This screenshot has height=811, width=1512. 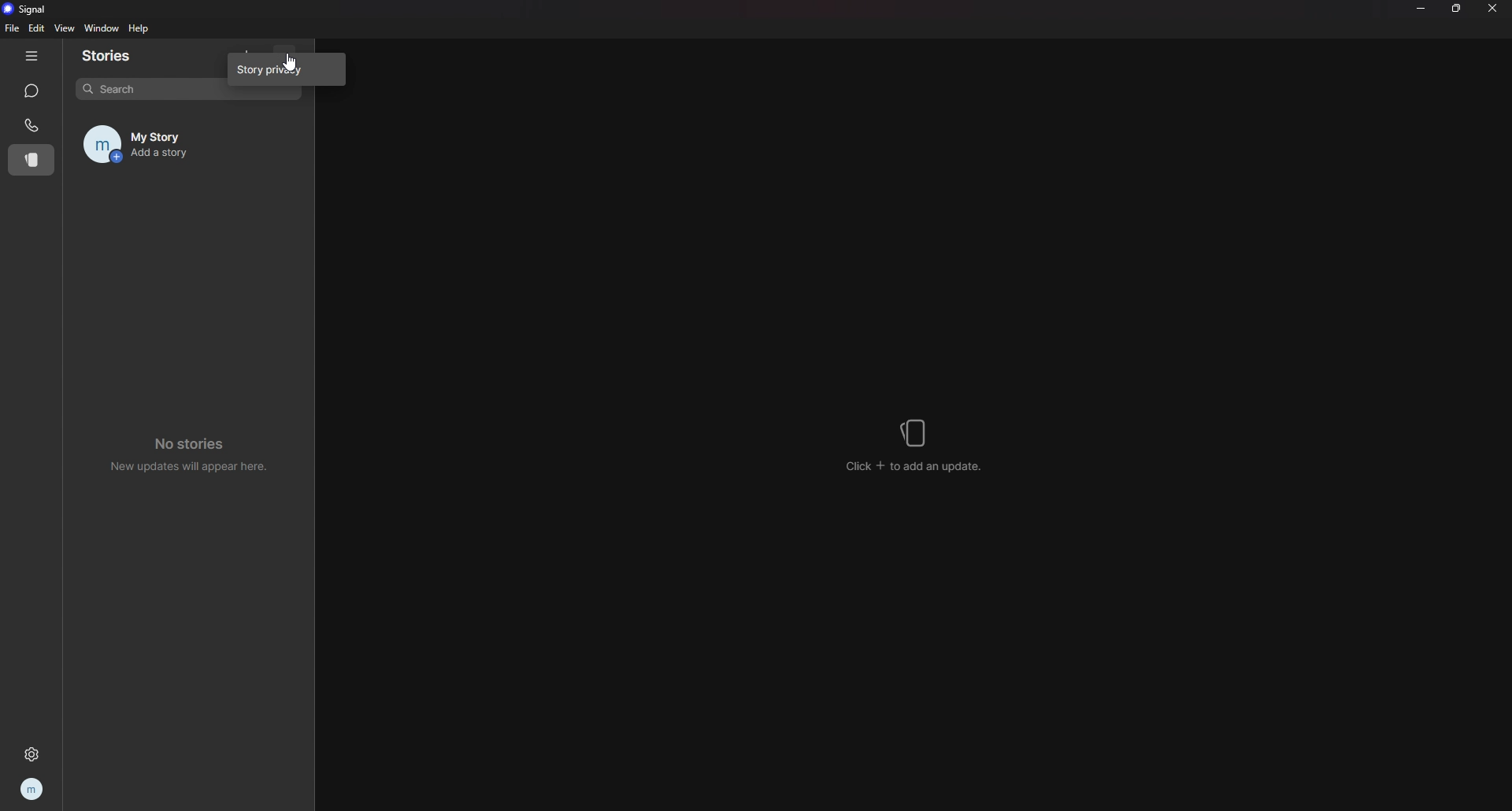 What do you see at coordinates (31, 91) in the screenshot?
I see `chats` at bounding box center [31, 91].